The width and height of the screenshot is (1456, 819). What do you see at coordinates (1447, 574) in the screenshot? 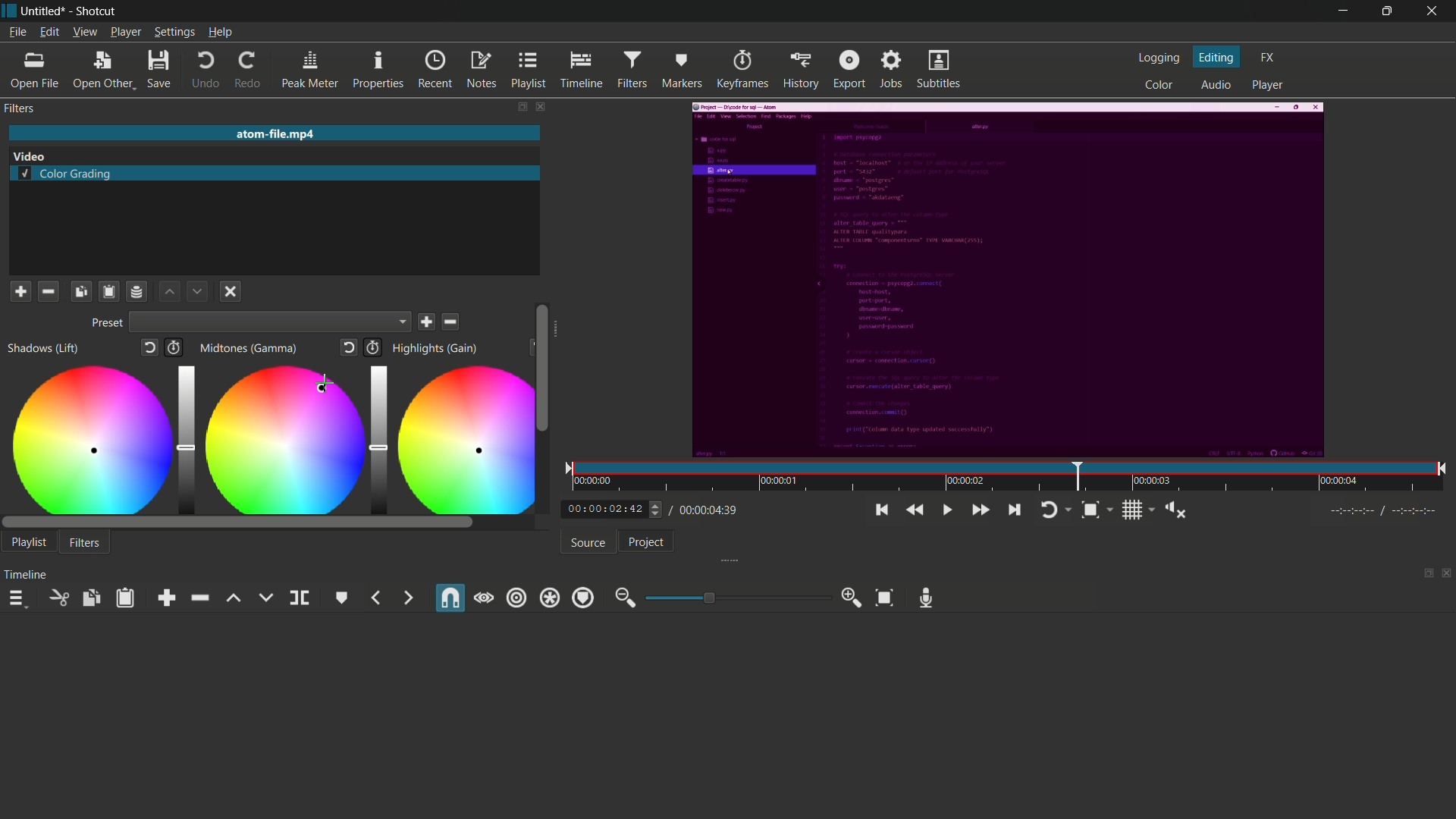
I see `close timeline` at bounding box center [1447, 574].